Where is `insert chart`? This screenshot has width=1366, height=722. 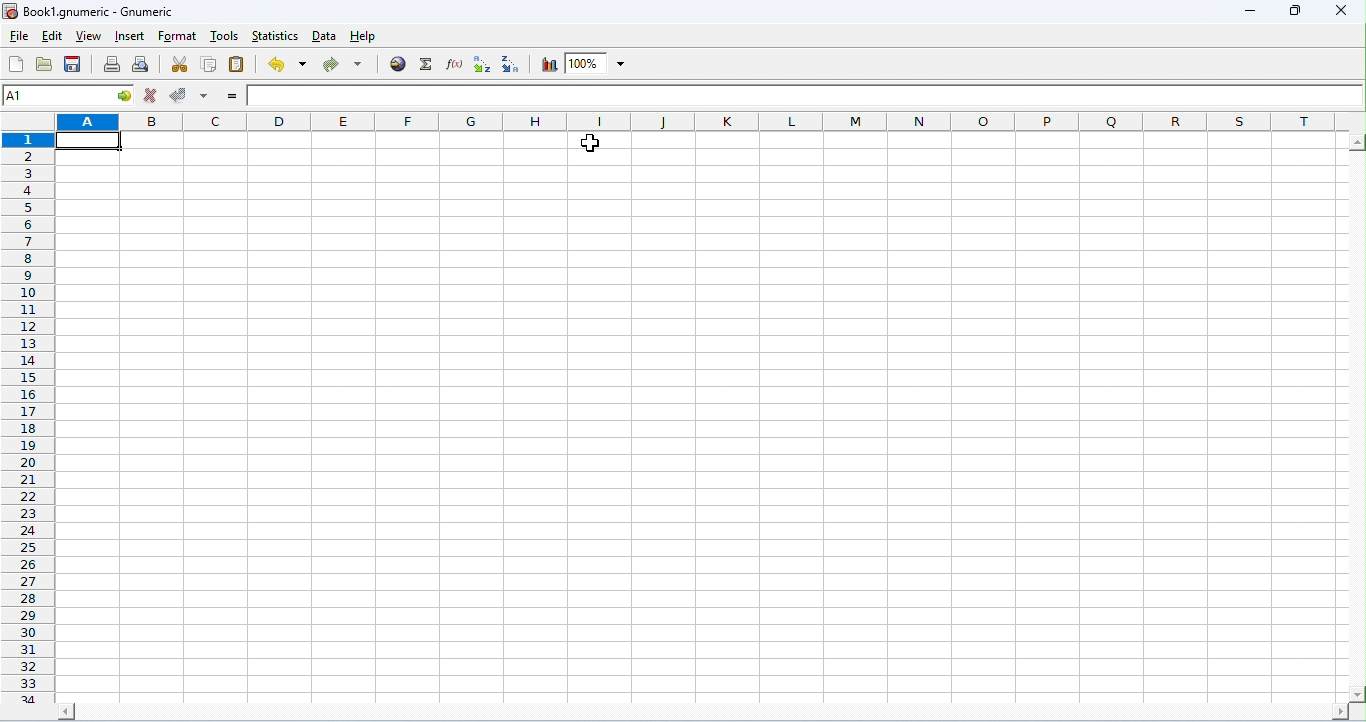 insert chart is located at coordinates (549, 64).